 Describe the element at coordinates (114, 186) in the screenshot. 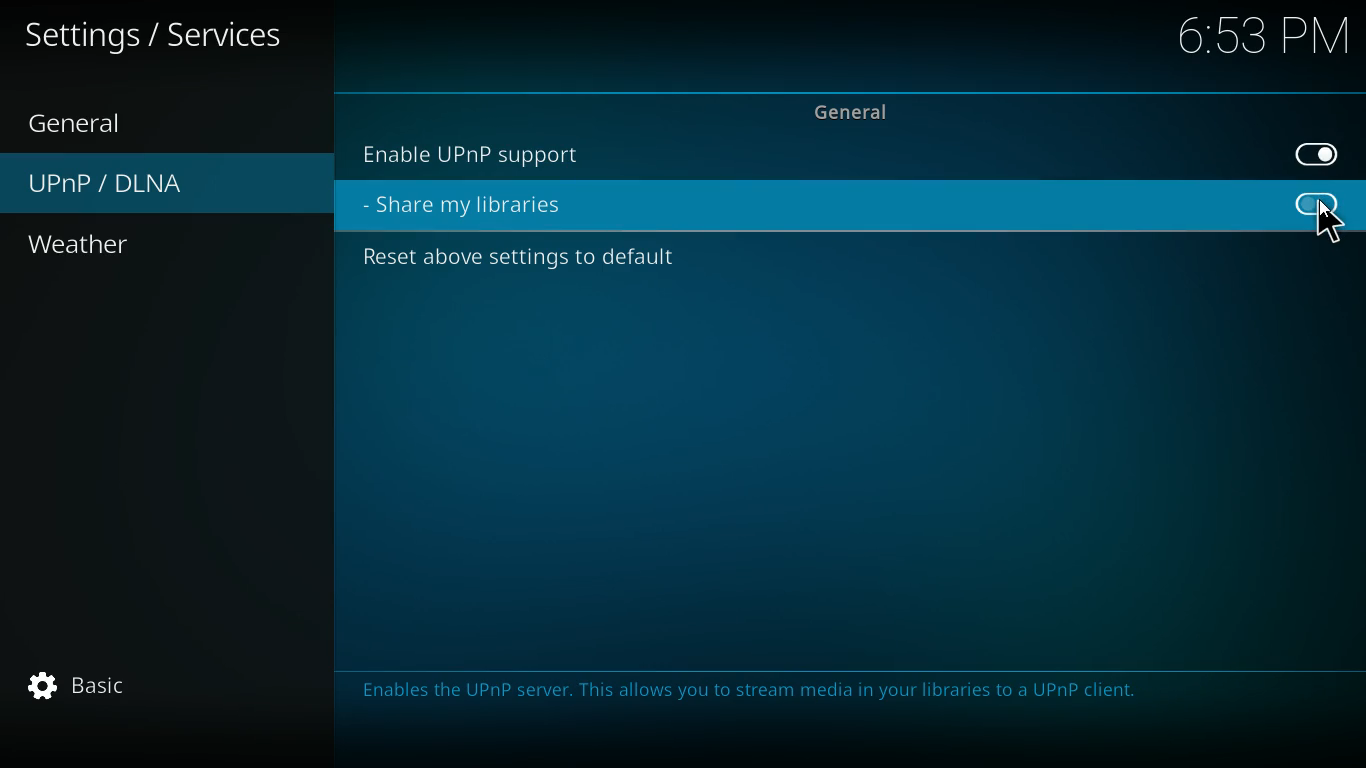

I see `upnp / dlna` at that location.